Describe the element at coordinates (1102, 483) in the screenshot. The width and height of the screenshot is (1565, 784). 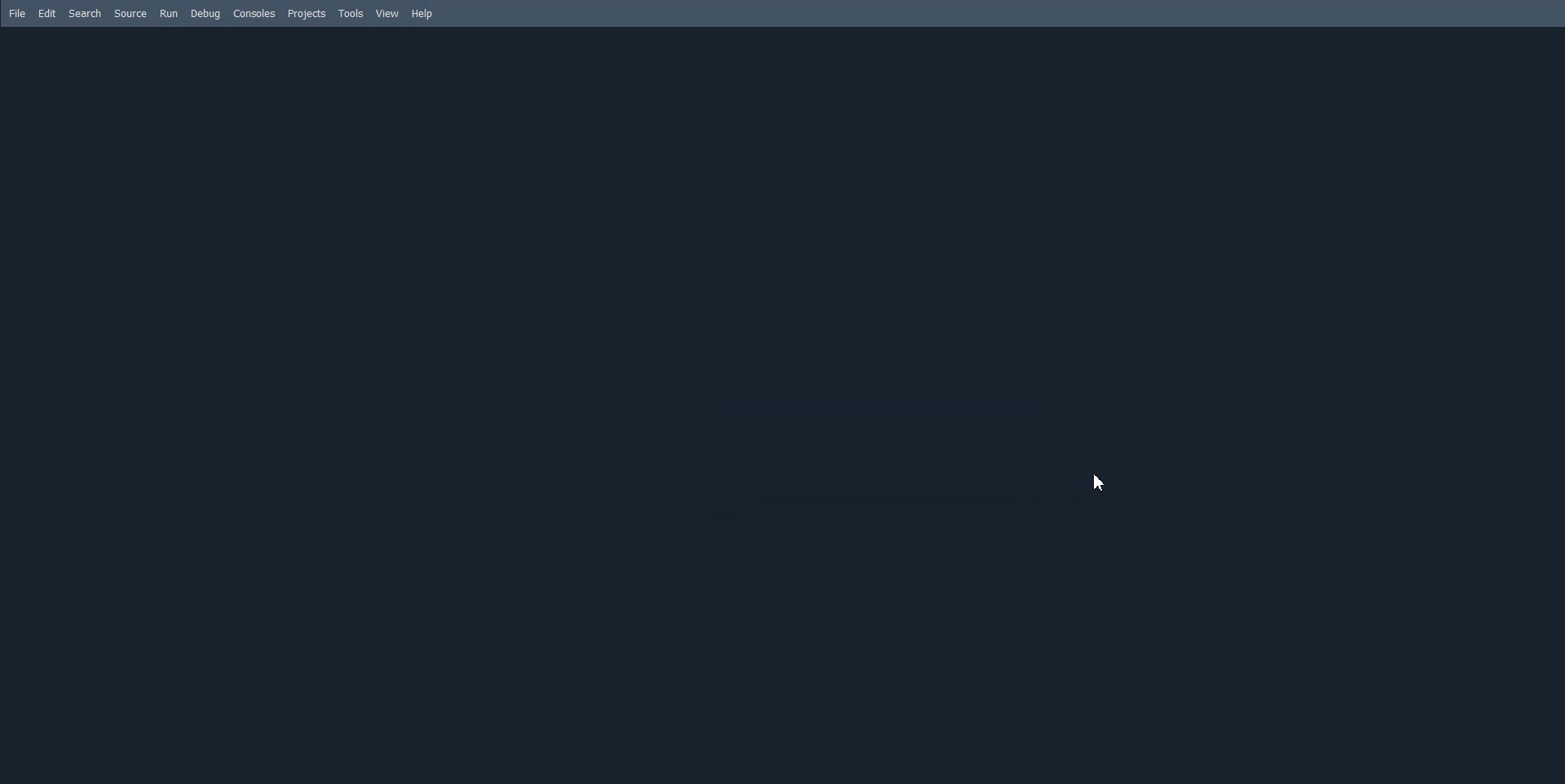
I see `Cursor` at that location.